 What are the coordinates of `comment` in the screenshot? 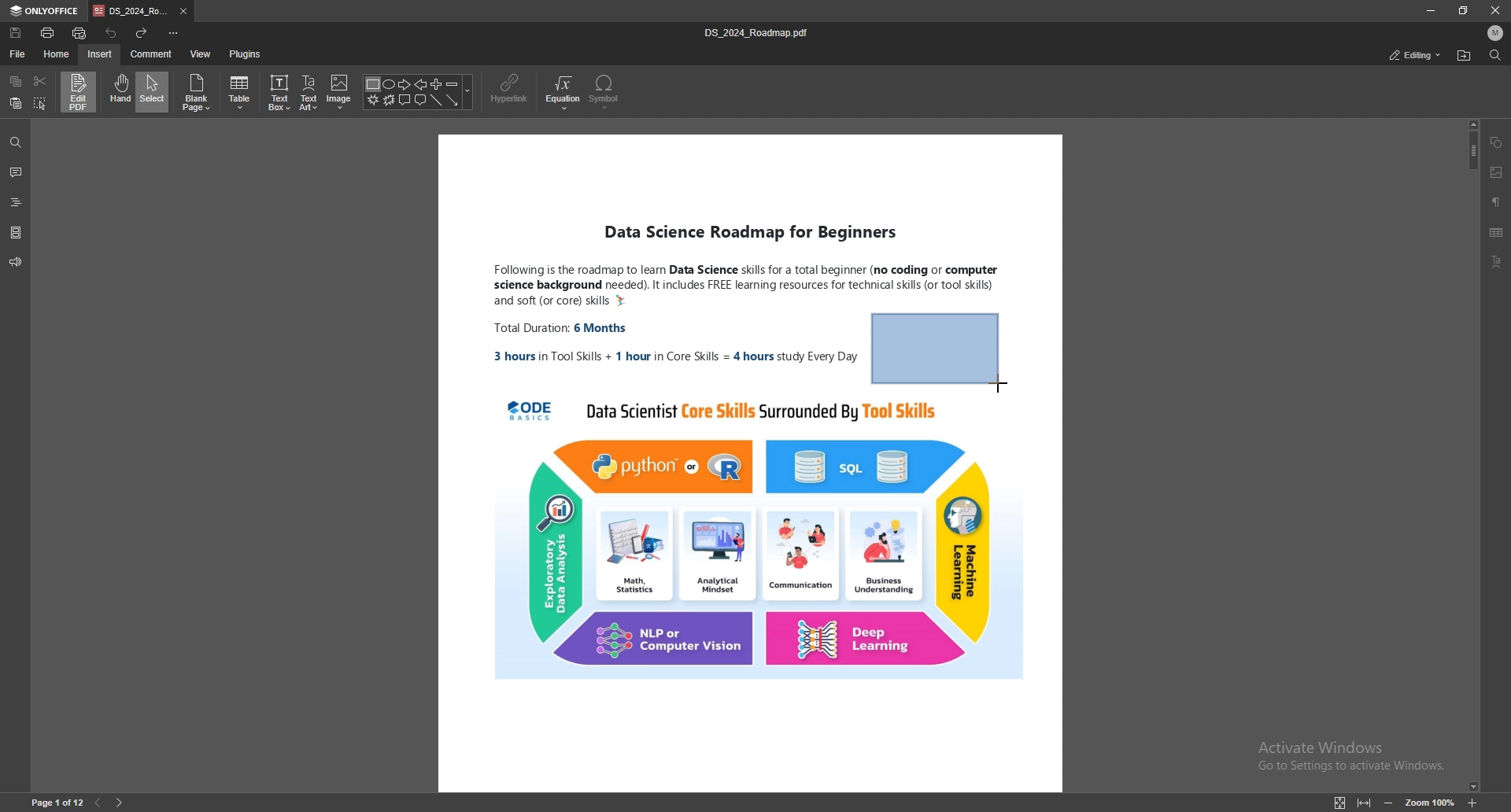 It's located at (151, 54).